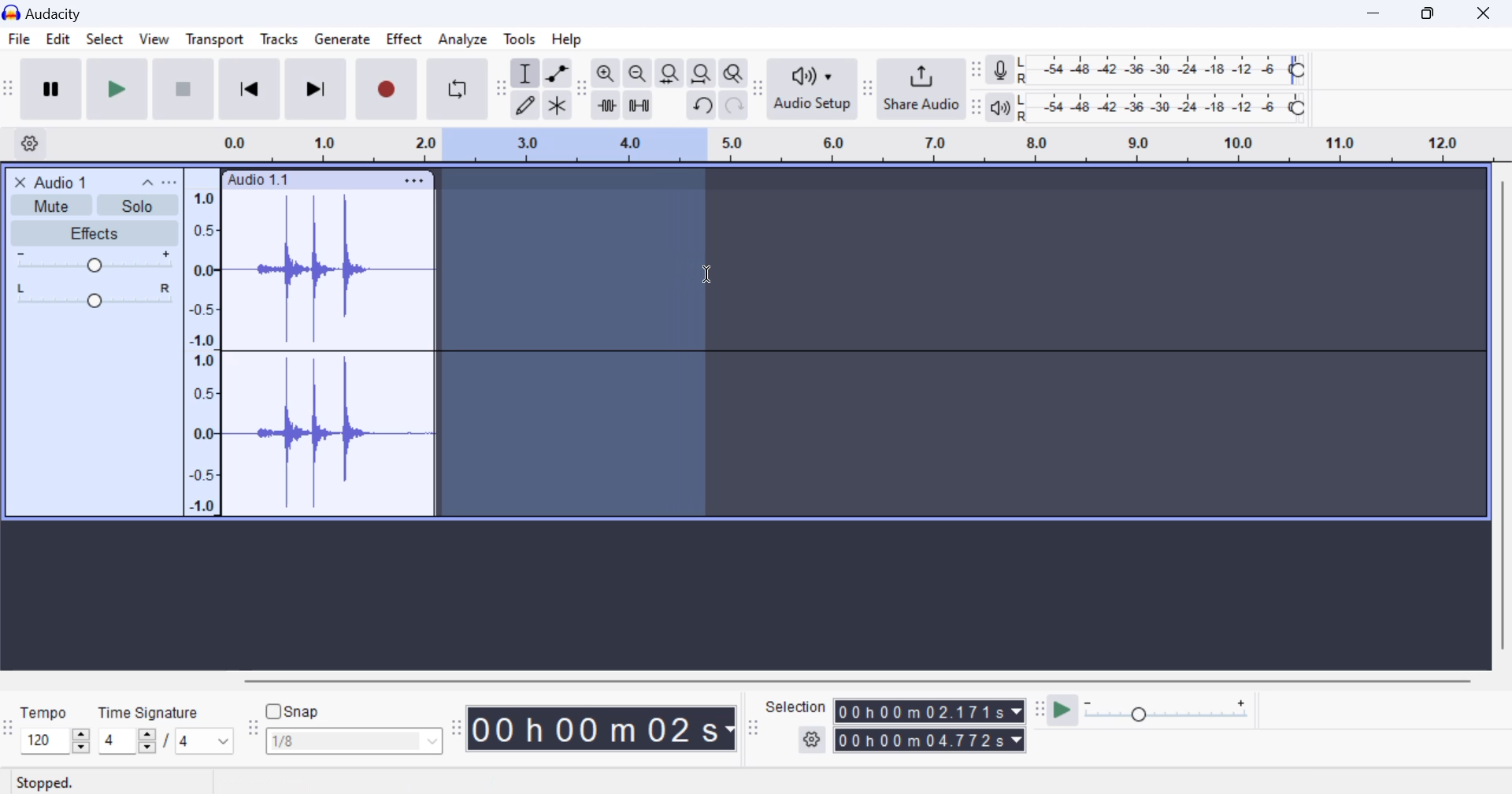  What do you see at coordinates (185, 88) in the screenshot?
I see `Stop` at bounding box center [185, 88].